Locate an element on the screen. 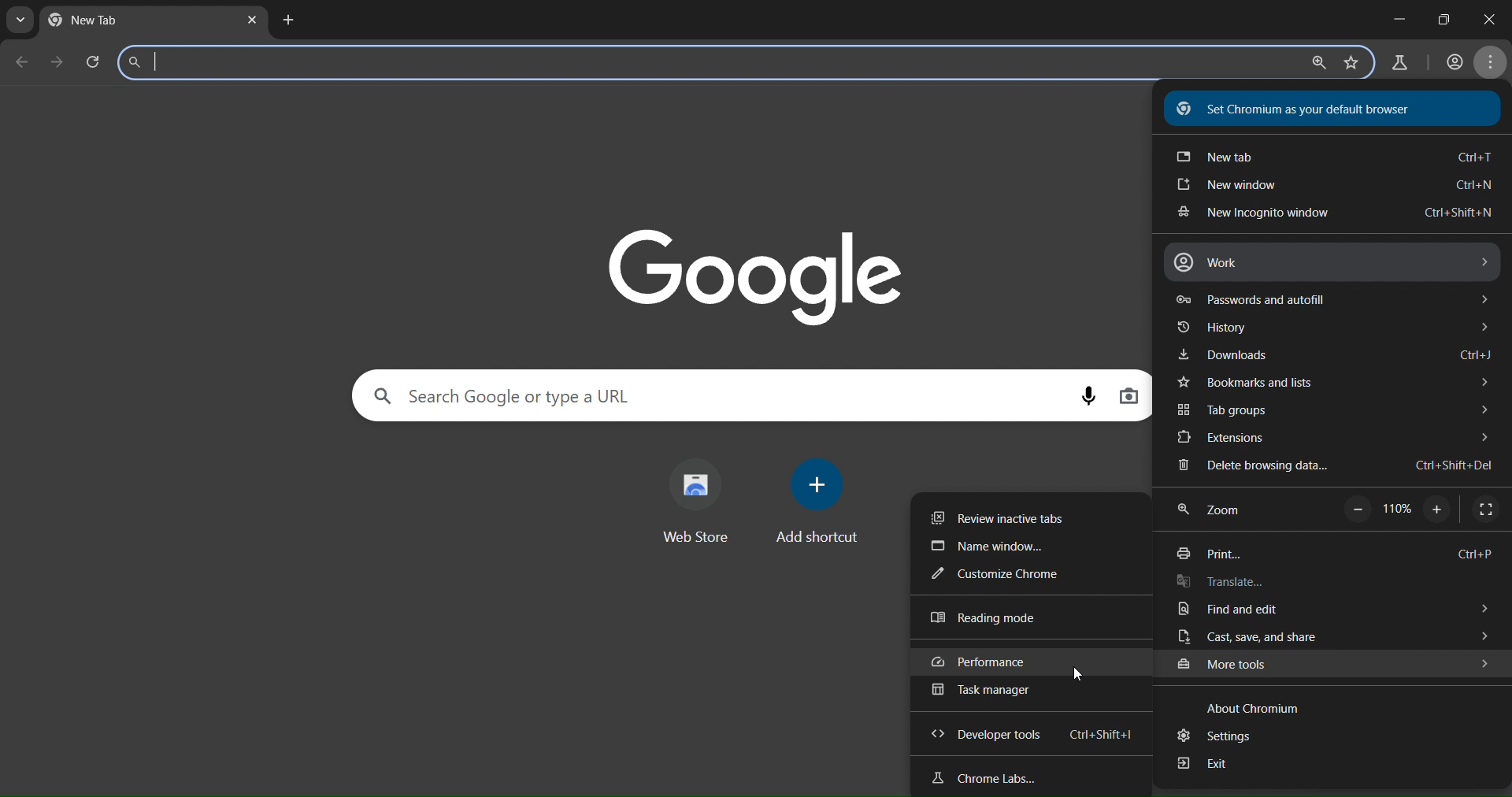 The width and height of the screenshot is (1512, 797). close tab is located at coordinates (254, 21).